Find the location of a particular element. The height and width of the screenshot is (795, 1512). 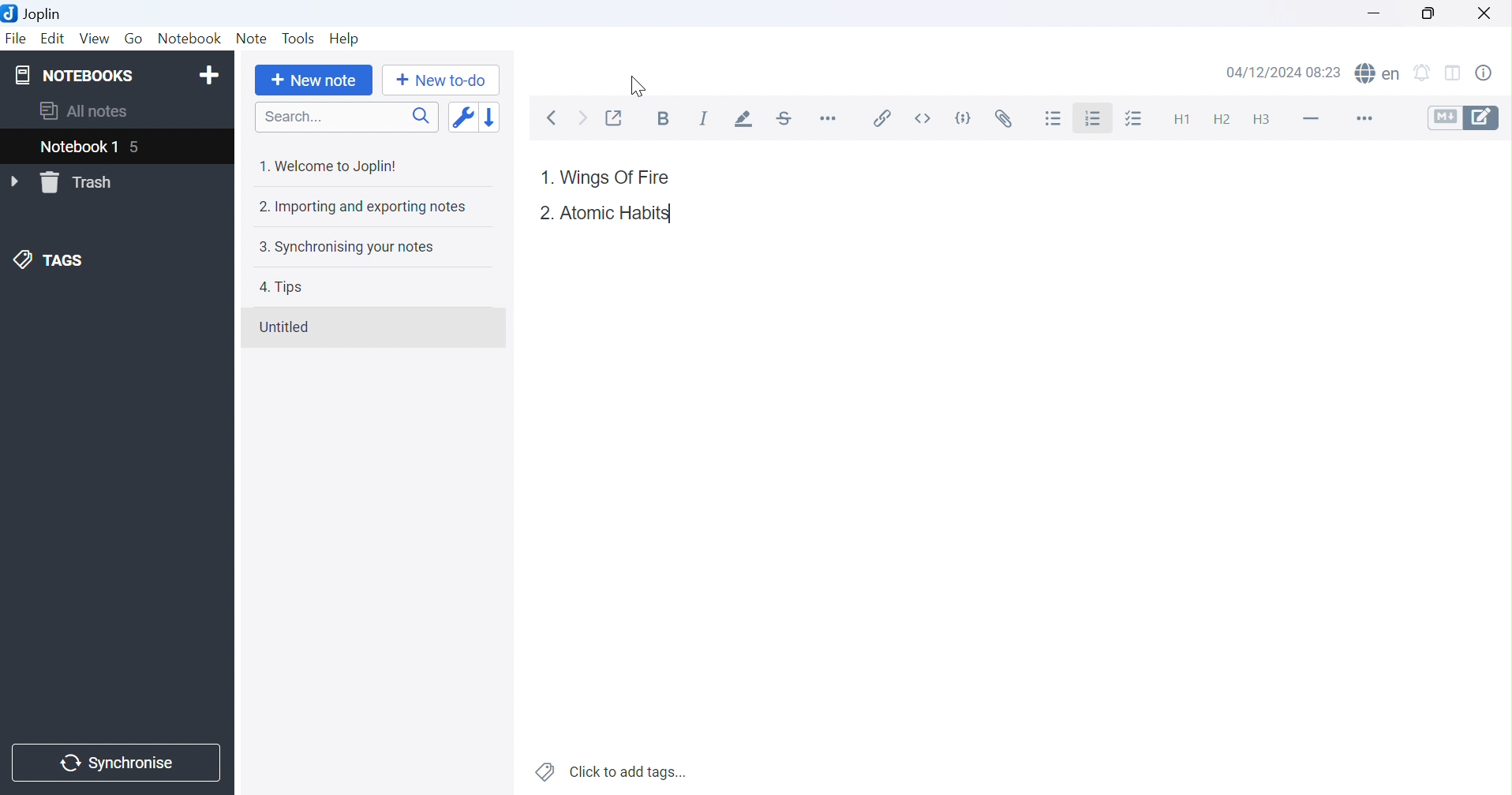

Atomic Habits is located at coordinates (618, 215).